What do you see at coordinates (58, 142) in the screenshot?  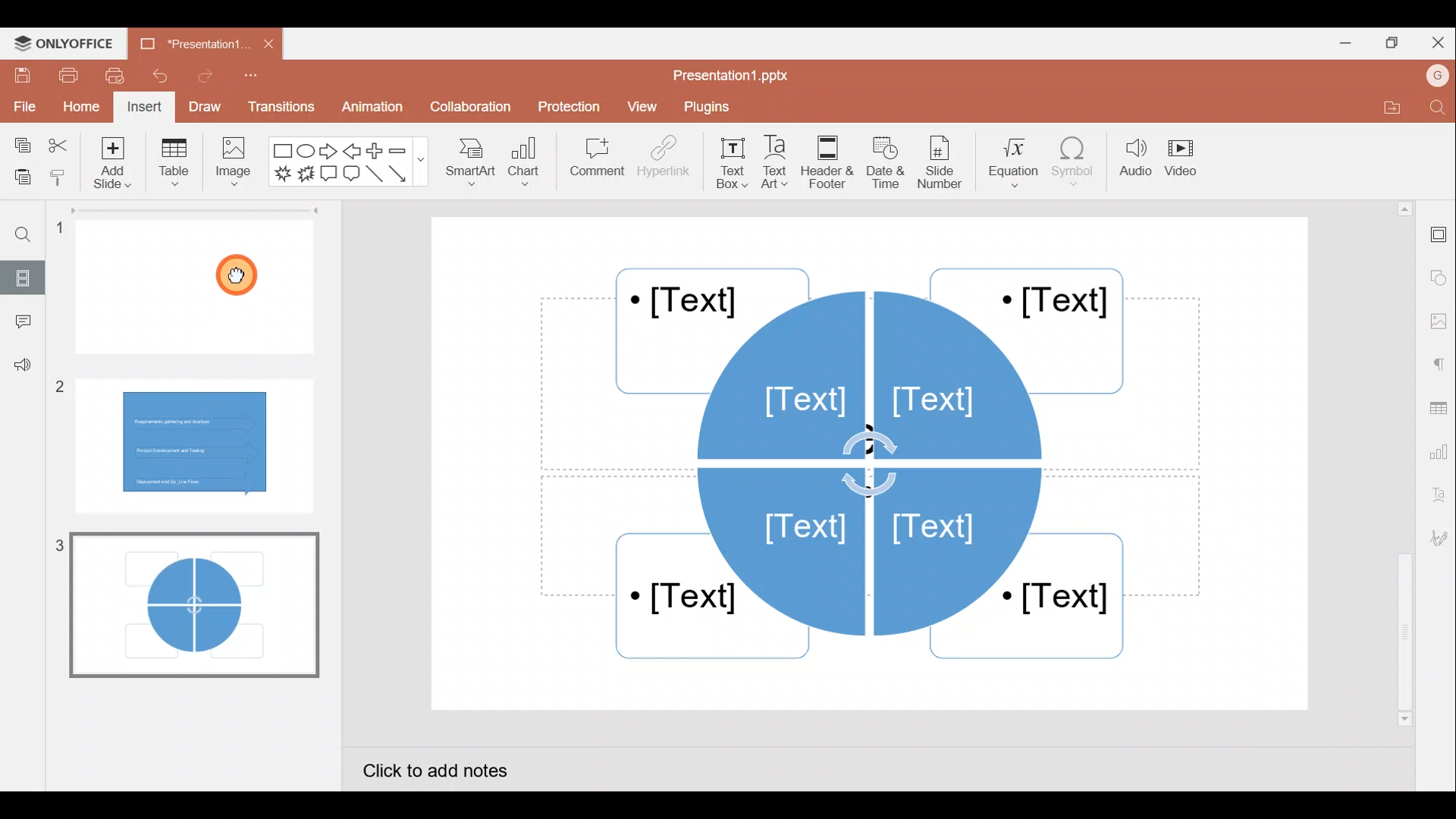 I see `Cut` at bounding box center [58, 142].